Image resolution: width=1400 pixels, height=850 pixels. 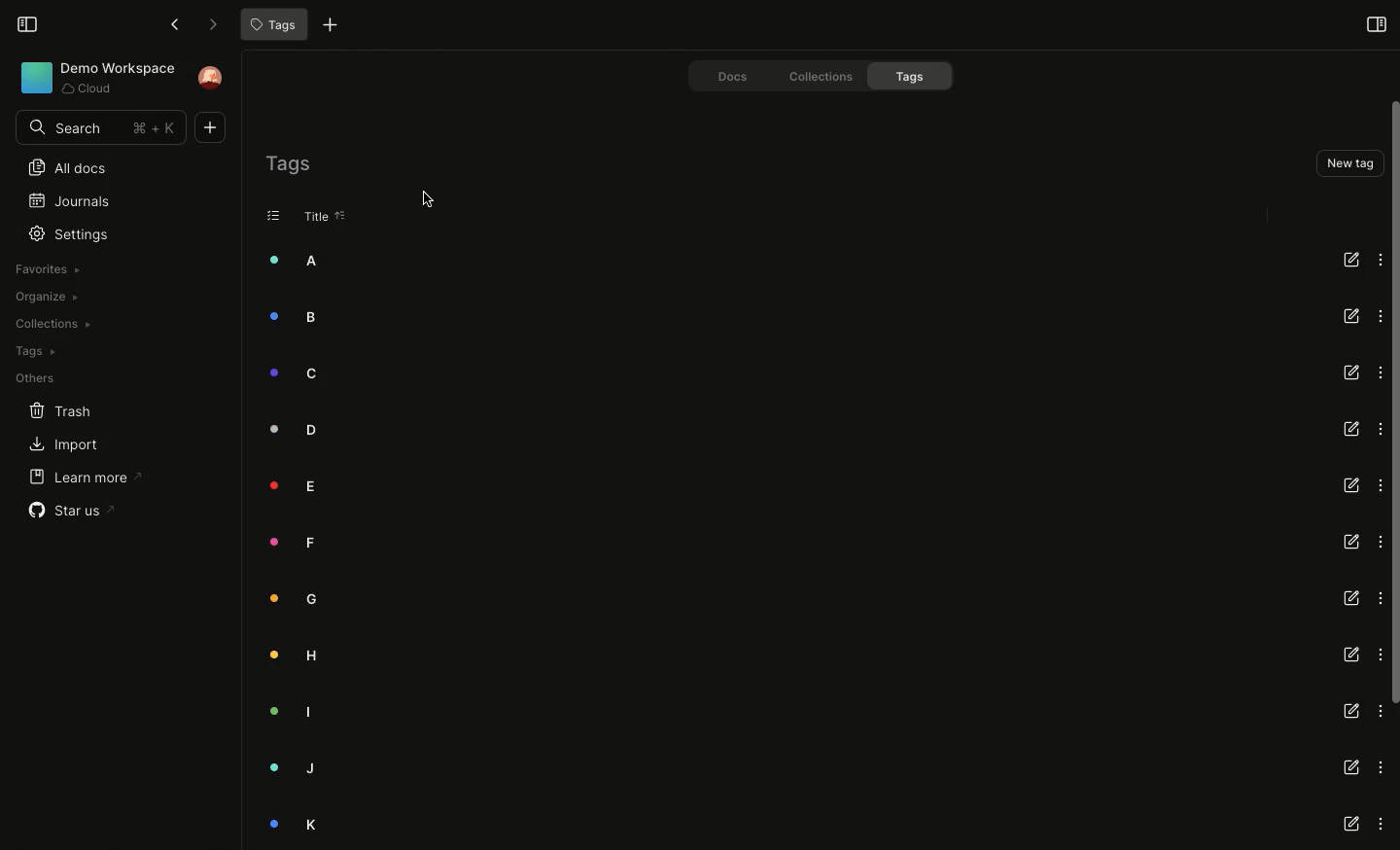 What do you see at coordinates (65, 512) in the screenshot?
I see `Star us` at bounding box center [65, 512].